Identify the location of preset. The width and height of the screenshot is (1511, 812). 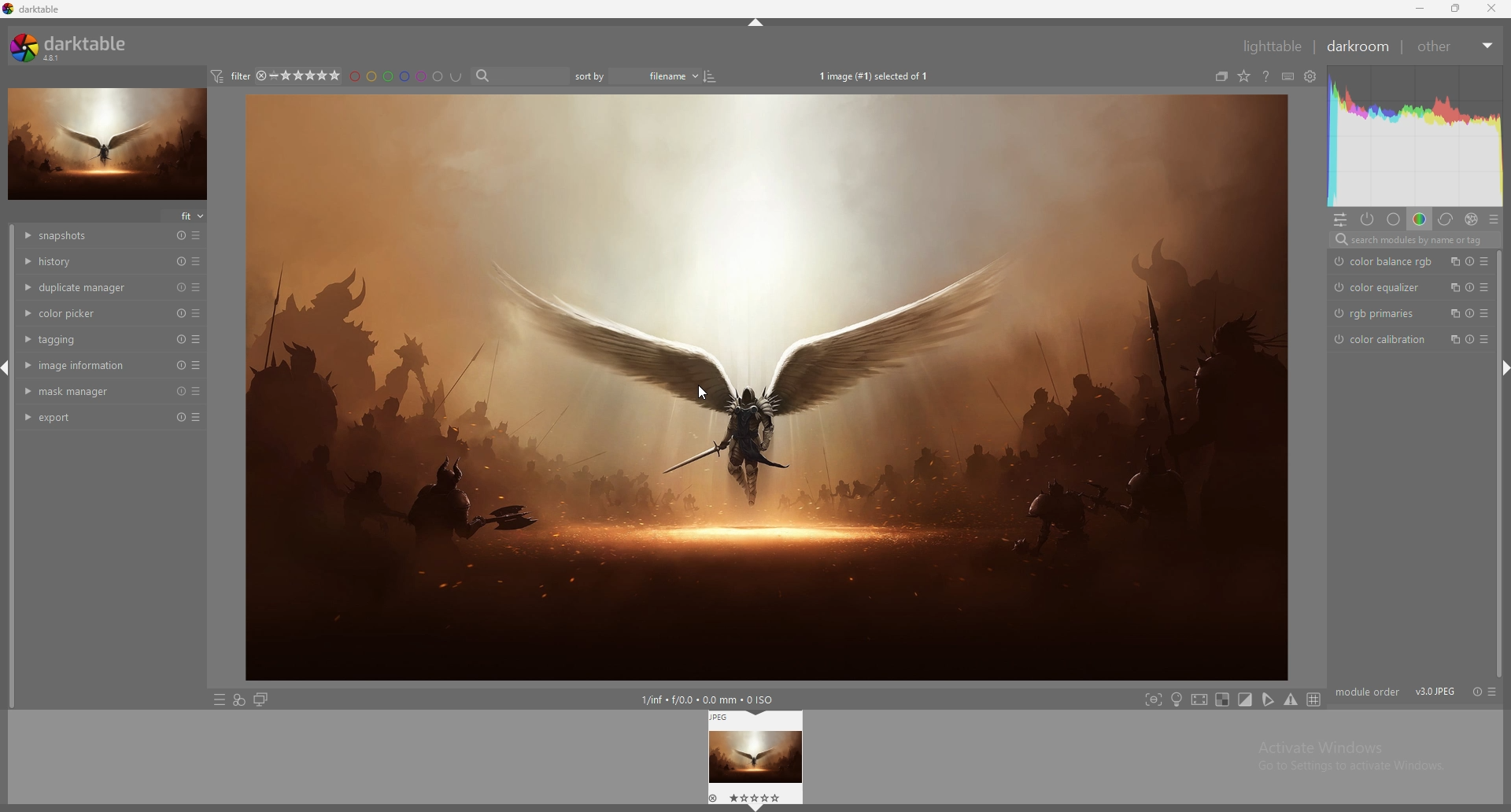
(1494, 692).